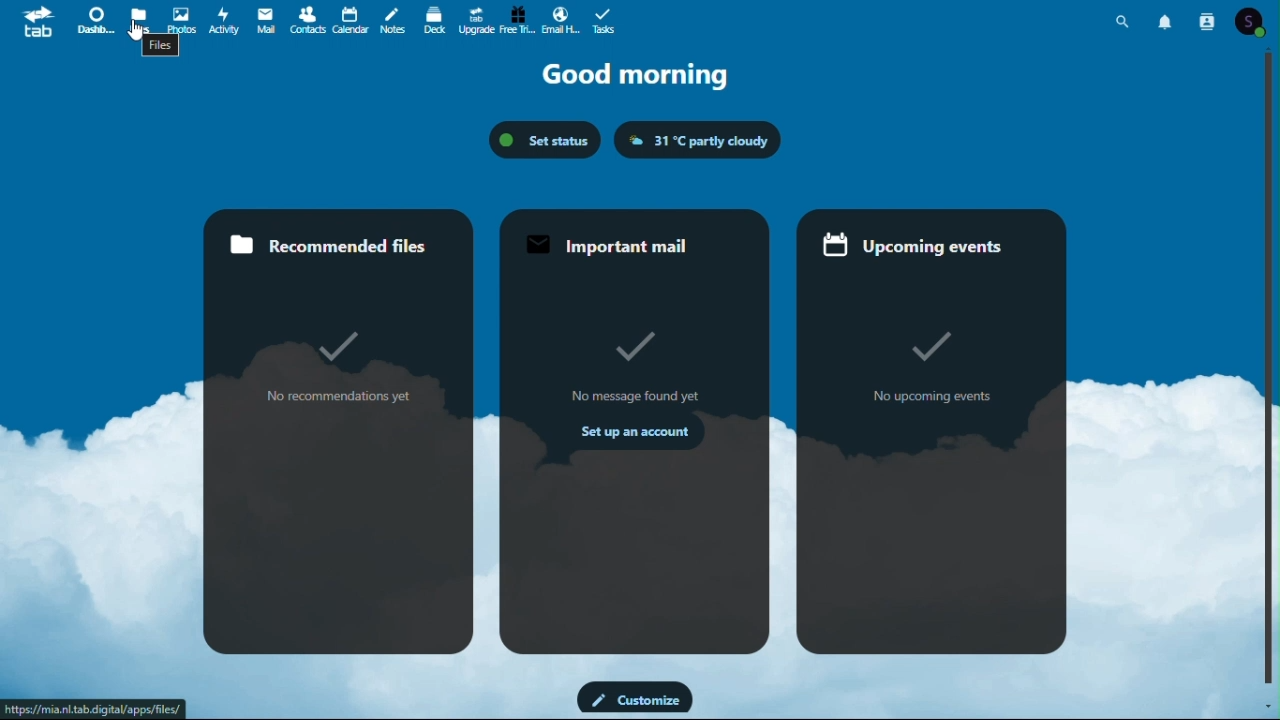 This screenshot has width=1280, height=720. I want to click on notes, so click(395, 17).